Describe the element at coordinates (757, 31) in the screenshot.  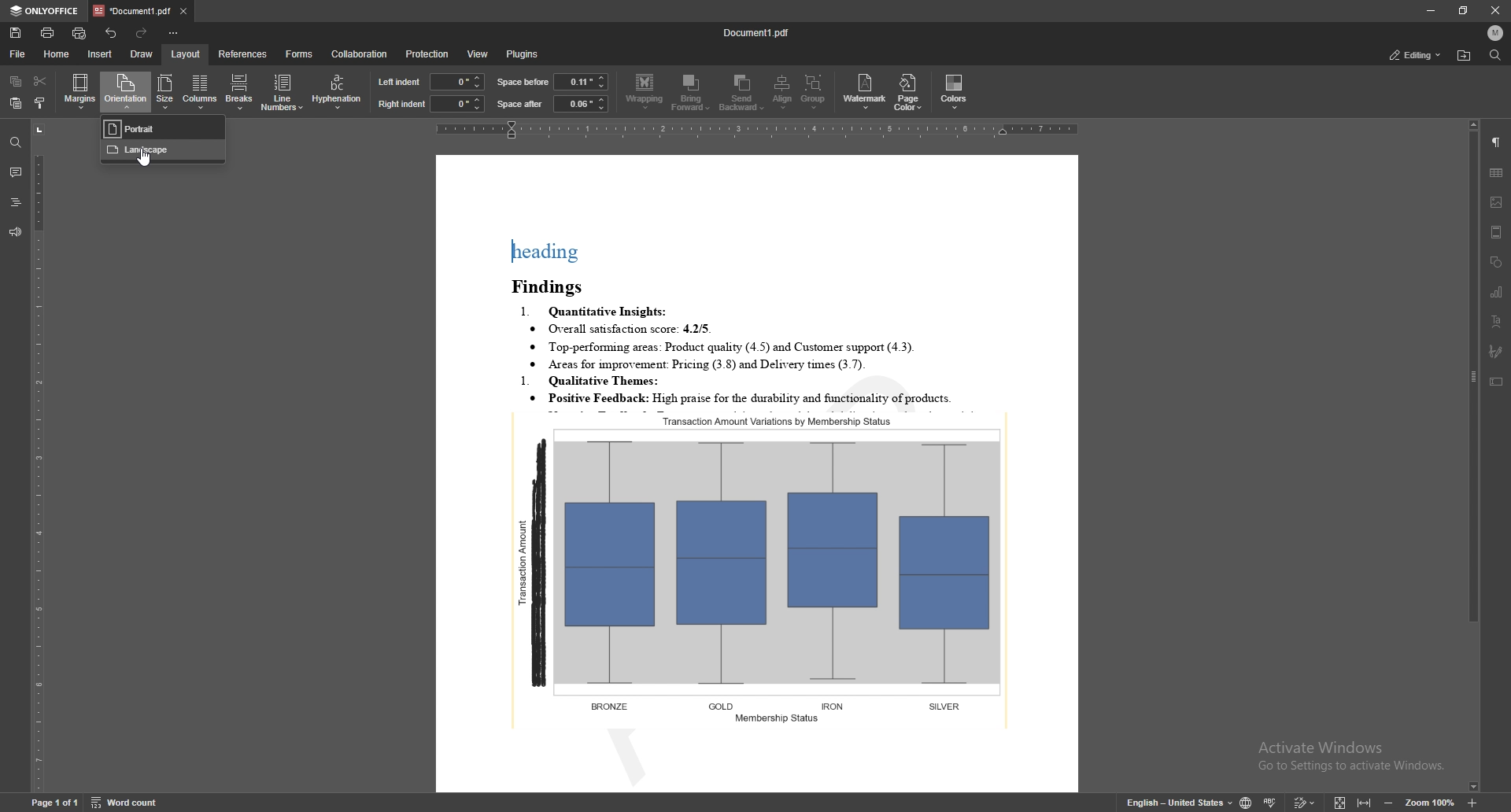
I see `file name` at that location.